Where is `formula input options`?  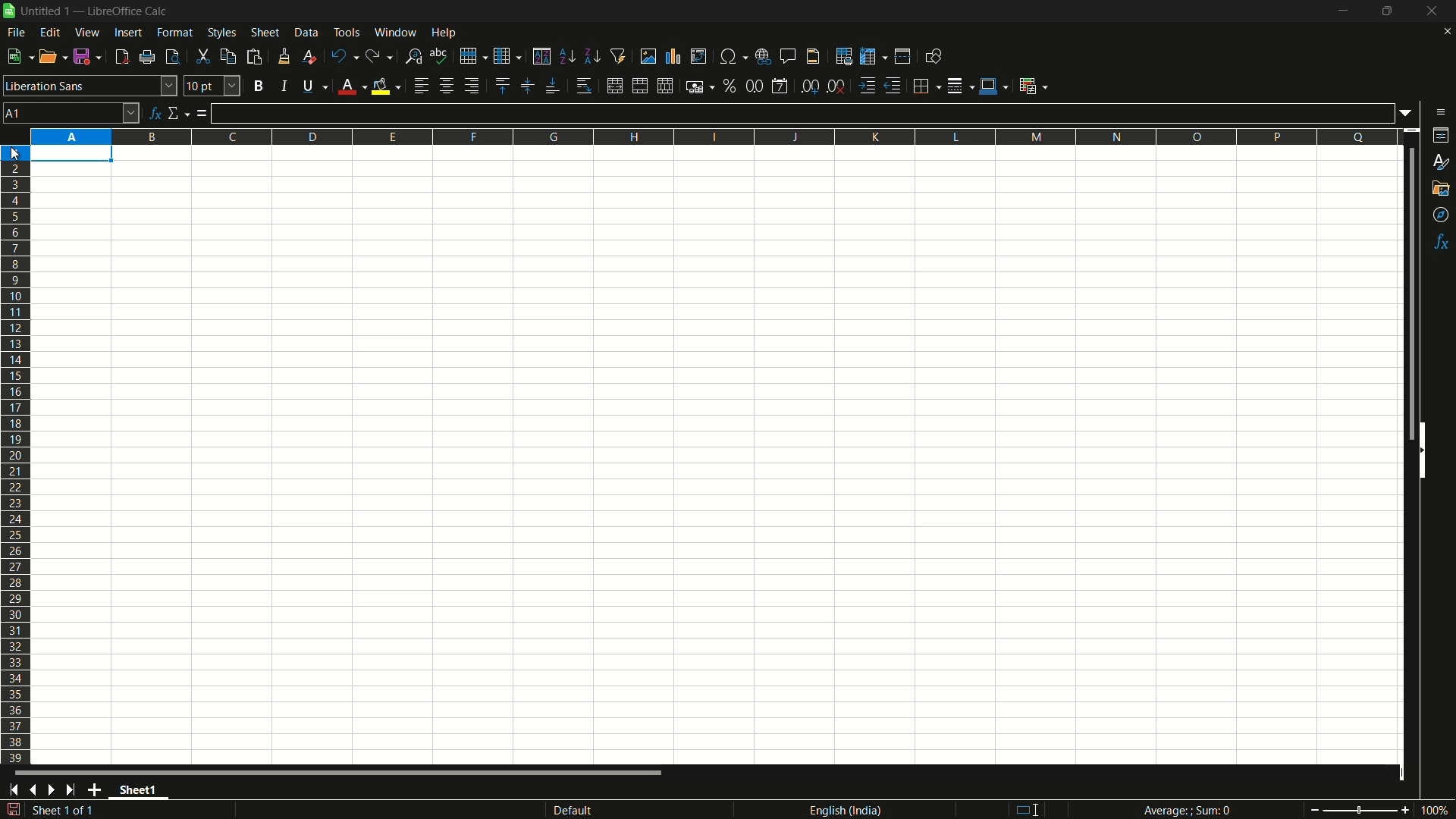
formula input options is located at coordinates (1410, 112).